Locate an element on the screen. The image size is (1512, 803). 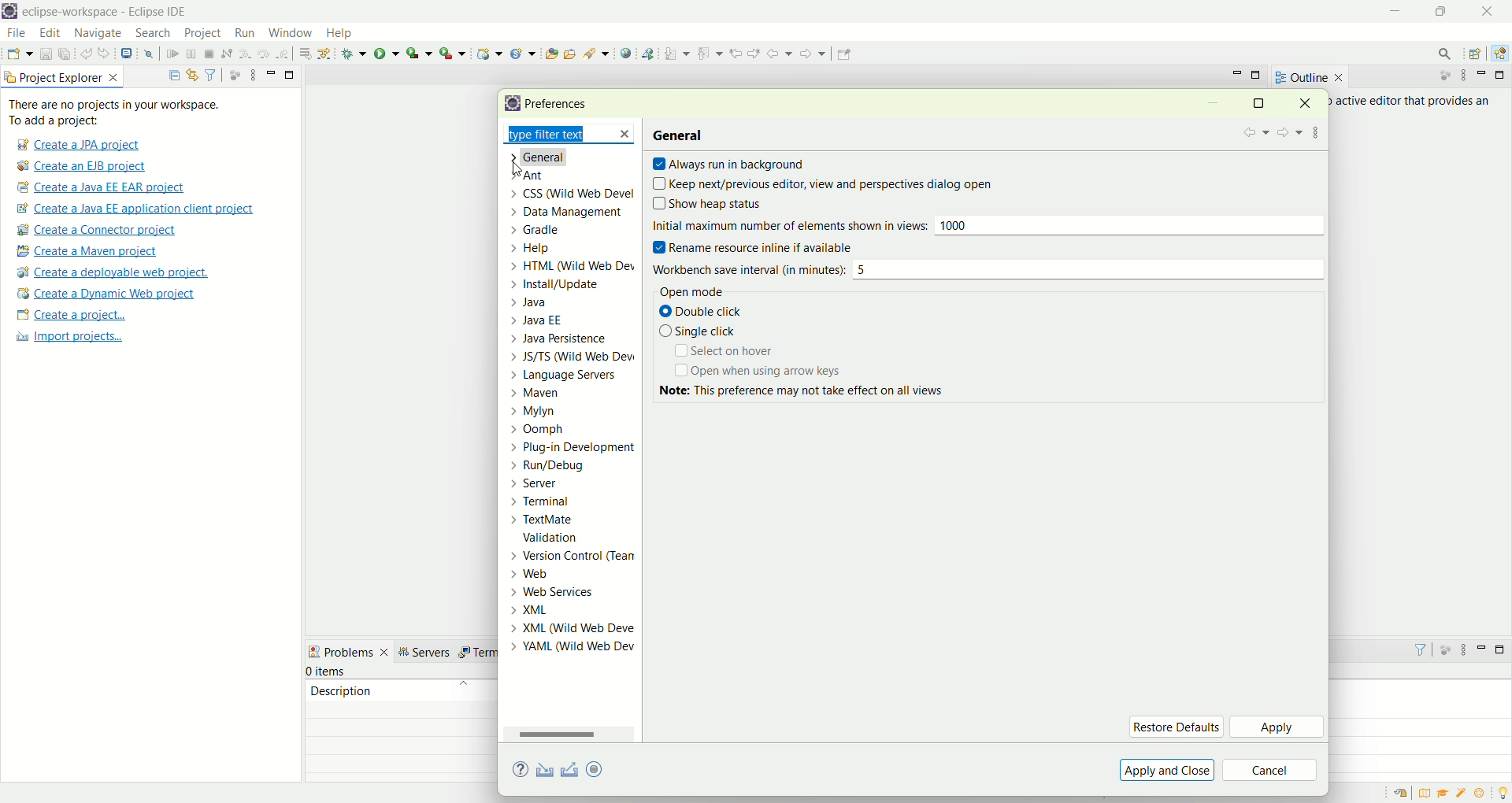
step return is located at coordinates (285, 52).